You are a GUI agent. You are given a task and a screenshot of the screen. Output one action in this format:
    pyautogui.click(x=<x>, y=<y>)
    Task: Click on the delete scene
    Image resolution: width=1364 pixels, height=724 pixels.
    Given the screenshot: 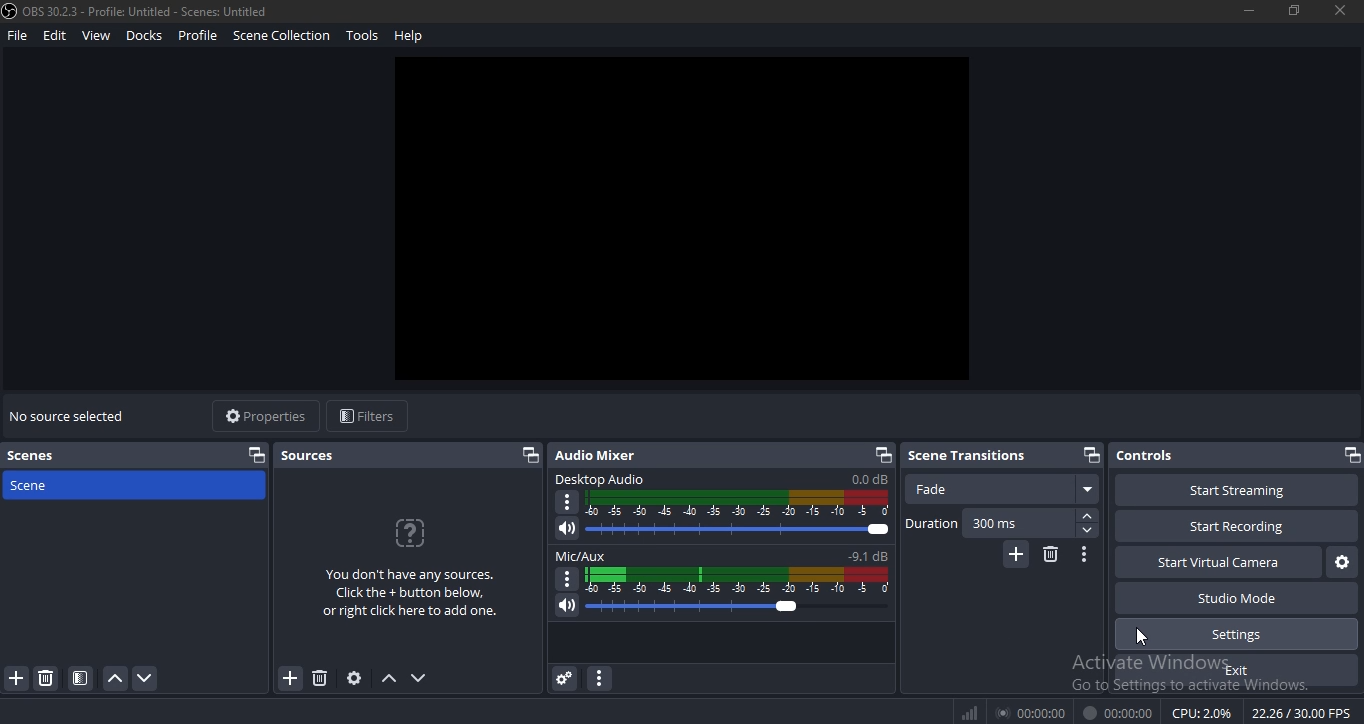 What is the action you would take?
    pyautogui.click(x=47, y=681)
    